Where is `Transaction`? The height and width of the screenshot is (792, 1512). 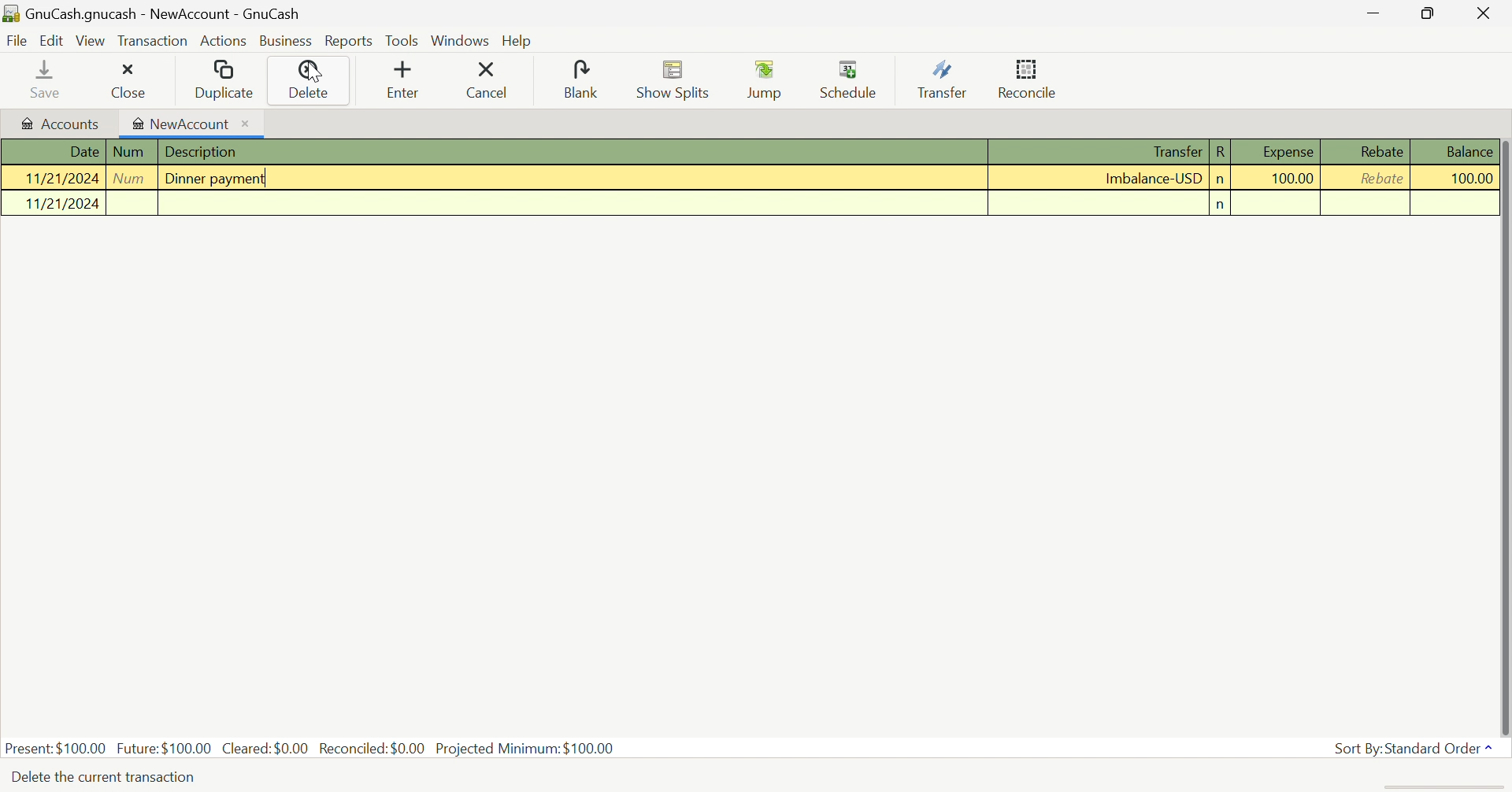 Transaction is located at coordinates (152, 44).